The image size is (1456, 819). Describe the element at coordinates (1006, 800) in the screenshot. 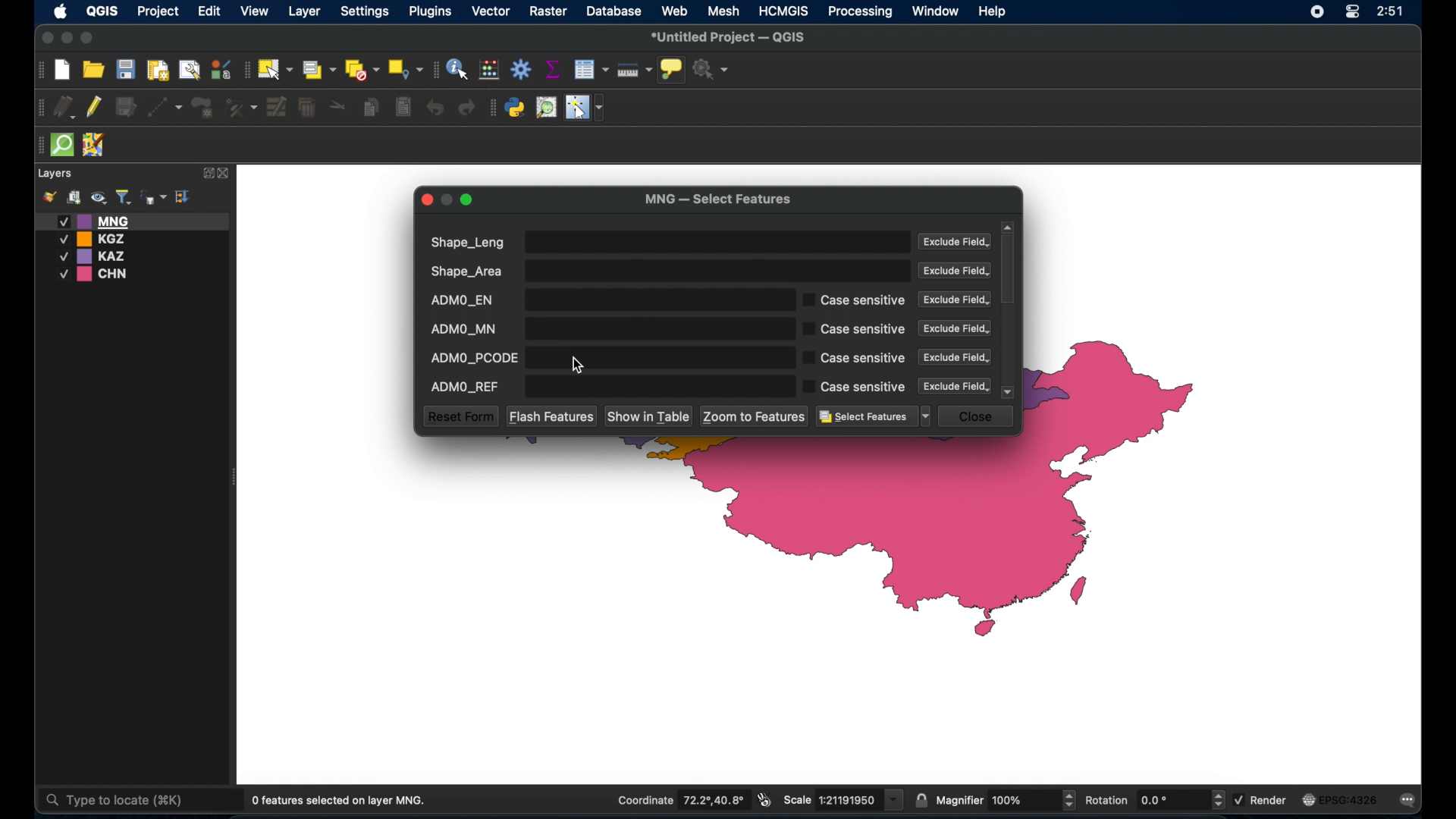

I see `magnifier 100%` at that location.